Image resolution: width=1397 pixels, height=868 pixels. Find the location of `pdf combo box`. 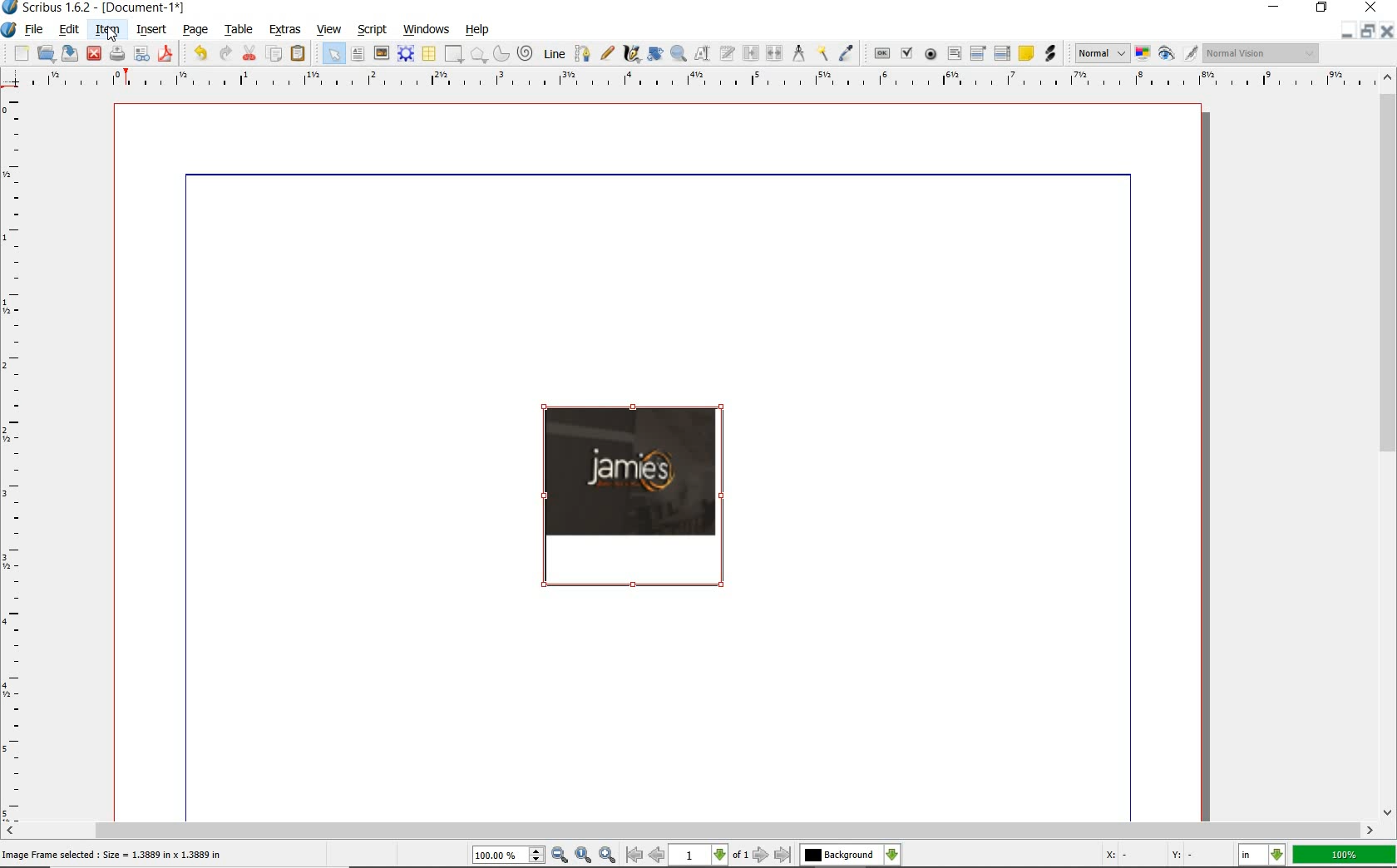

pdf combo box is located at coordinates (979, 53).